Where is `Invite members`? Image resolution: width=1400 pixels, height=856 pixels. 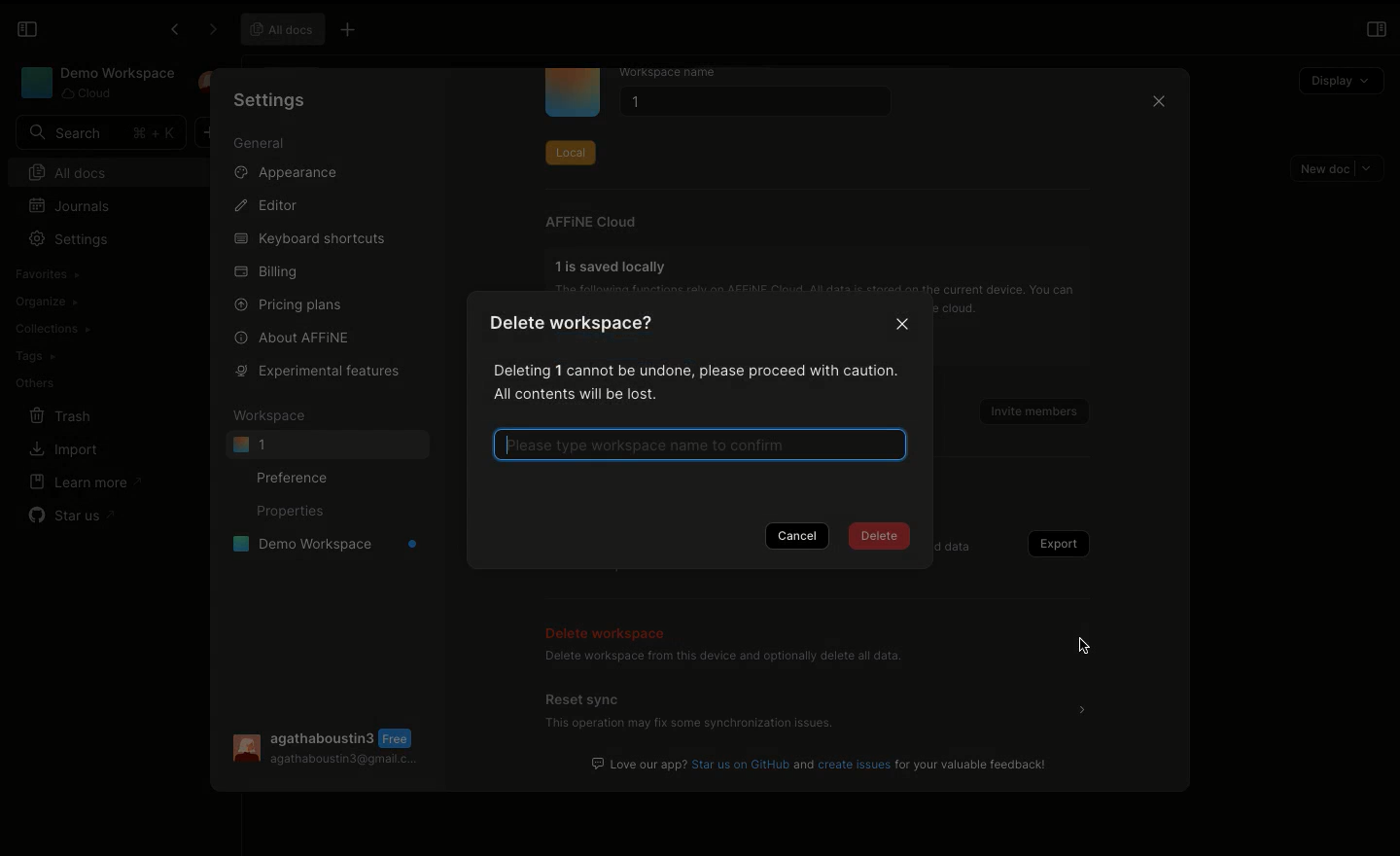
Invite members is located at coordinates (1027, 407).